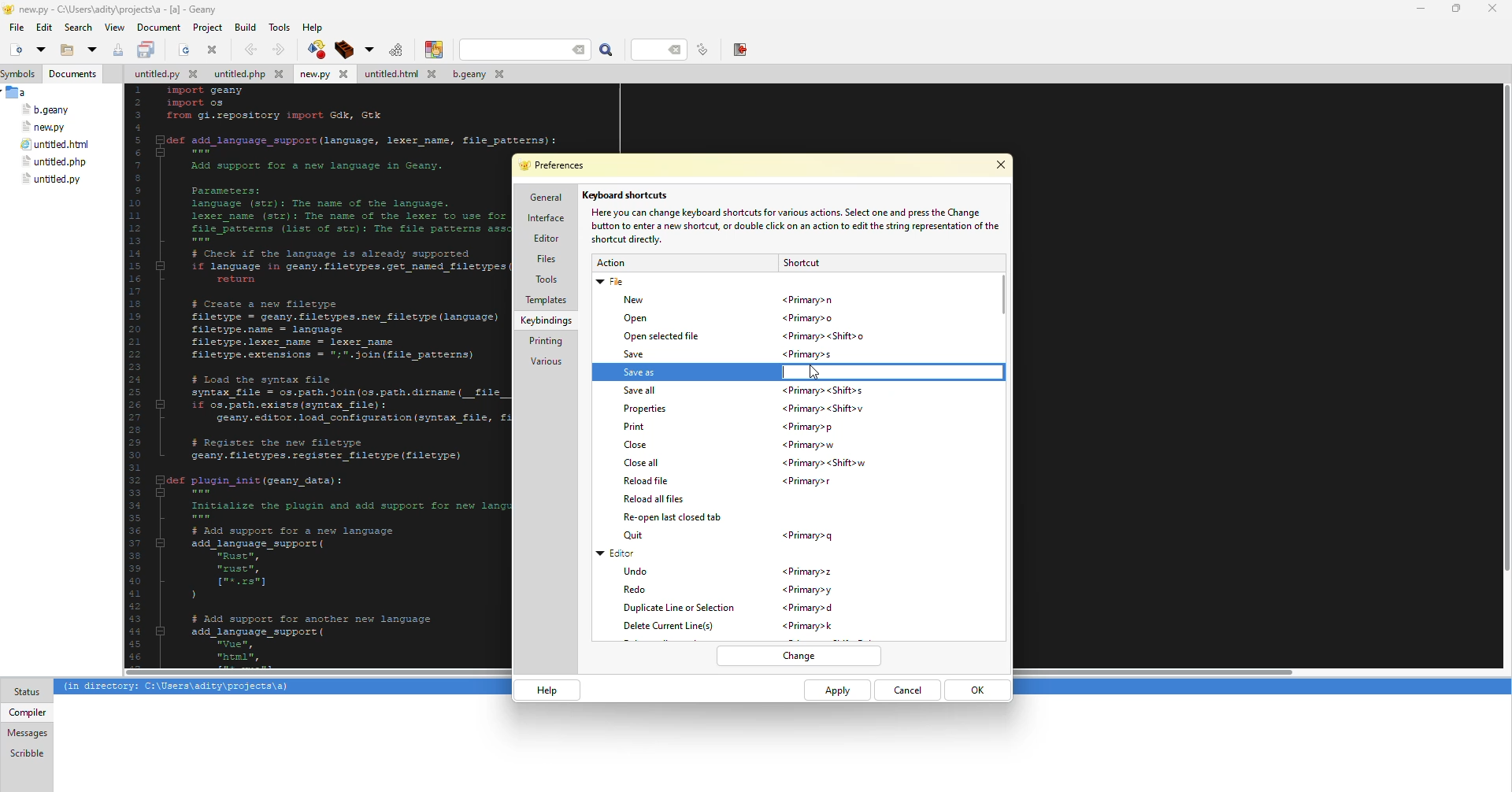  Describe the element at coordinates (557, 166) in the screenshot. I see `preferences` at that location.